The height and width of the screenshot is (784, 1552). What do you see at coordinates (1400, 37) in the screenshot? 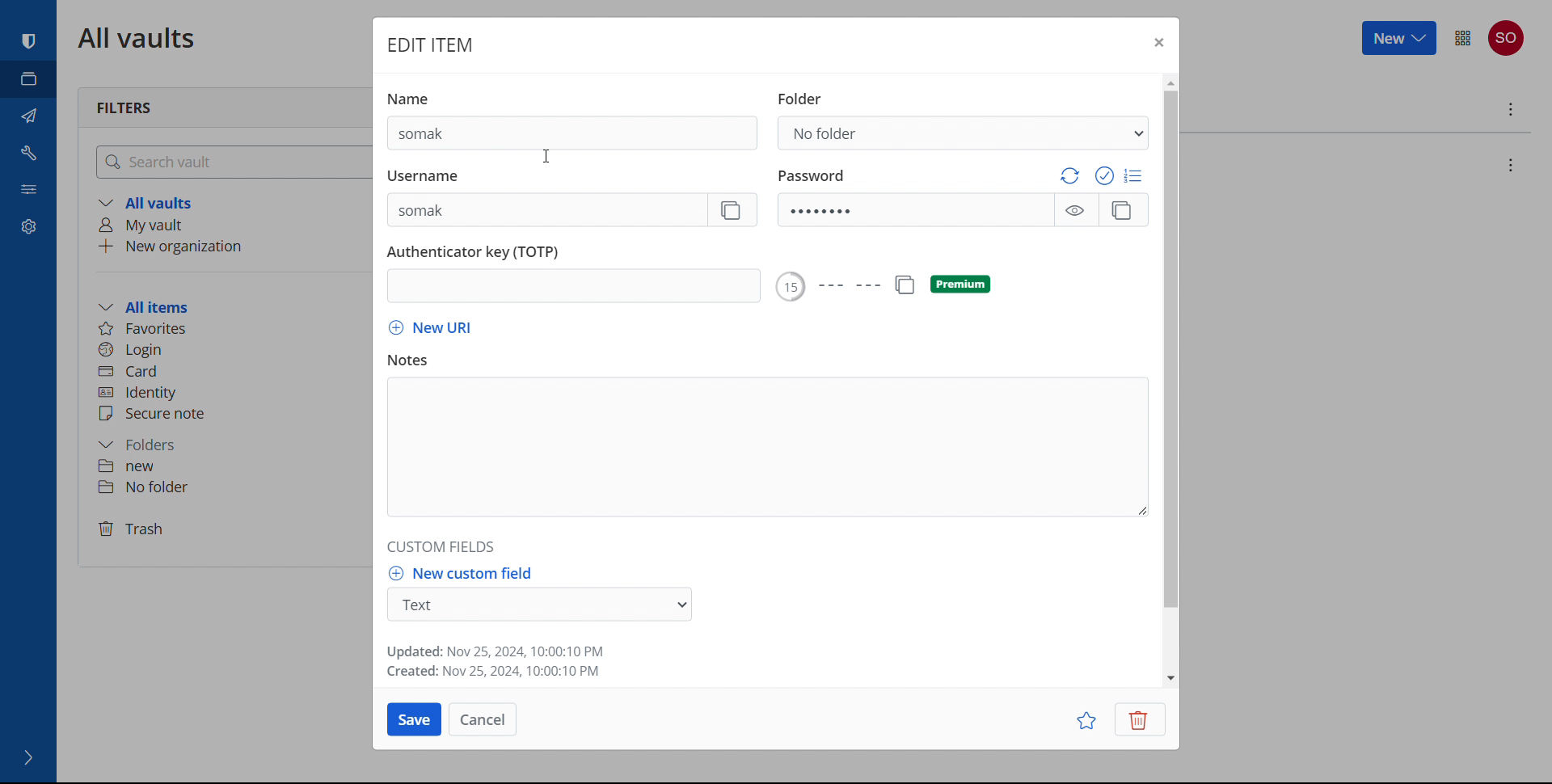
I see `new` at bounding box center [1400, 37].